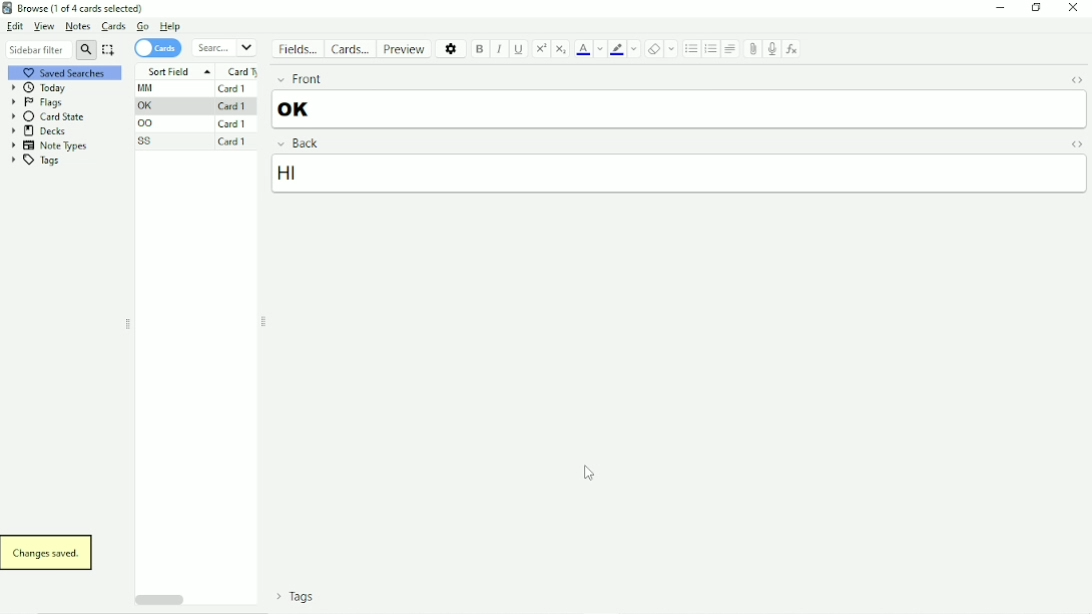  I want to click on Decks, so click(39, 131).